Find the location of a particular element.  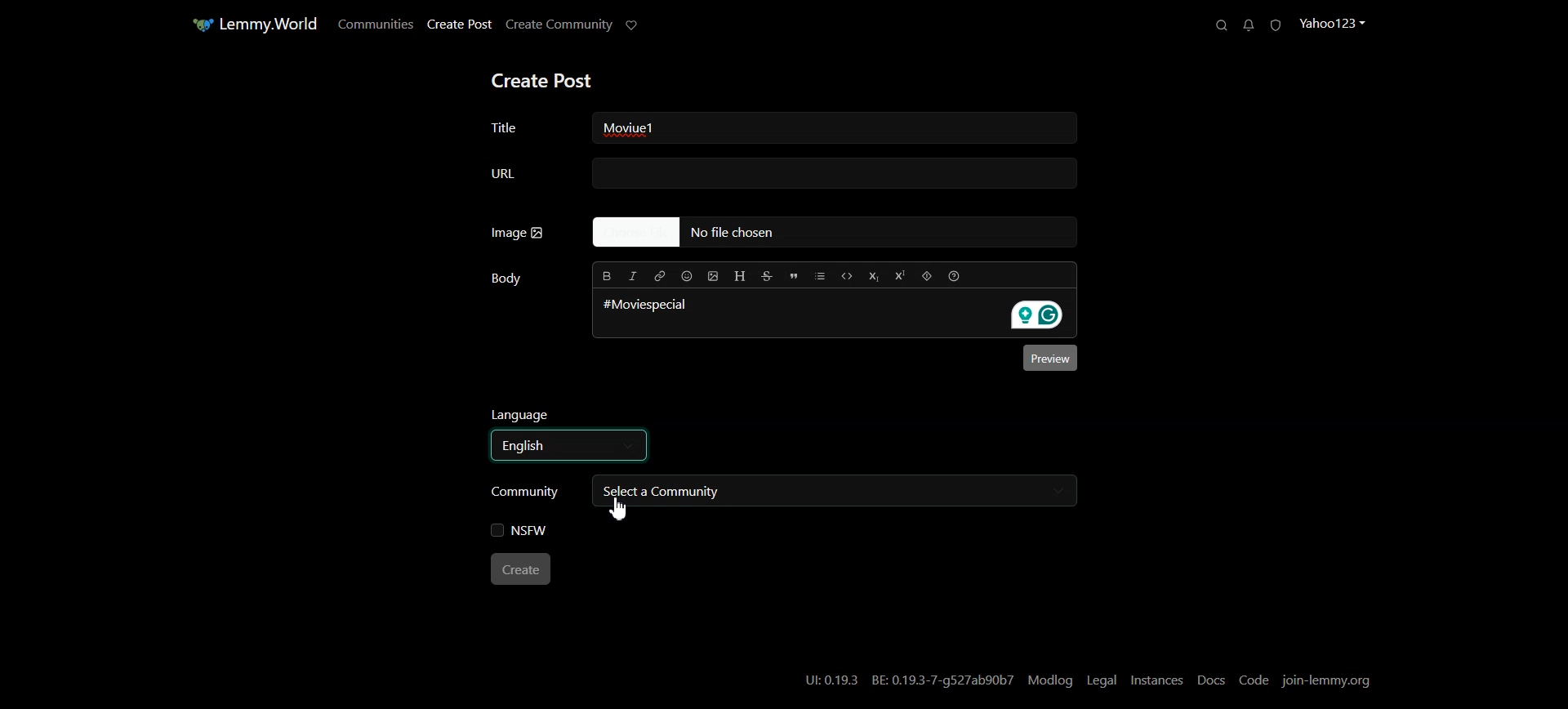

Select language is located at coordinates (568, 447).